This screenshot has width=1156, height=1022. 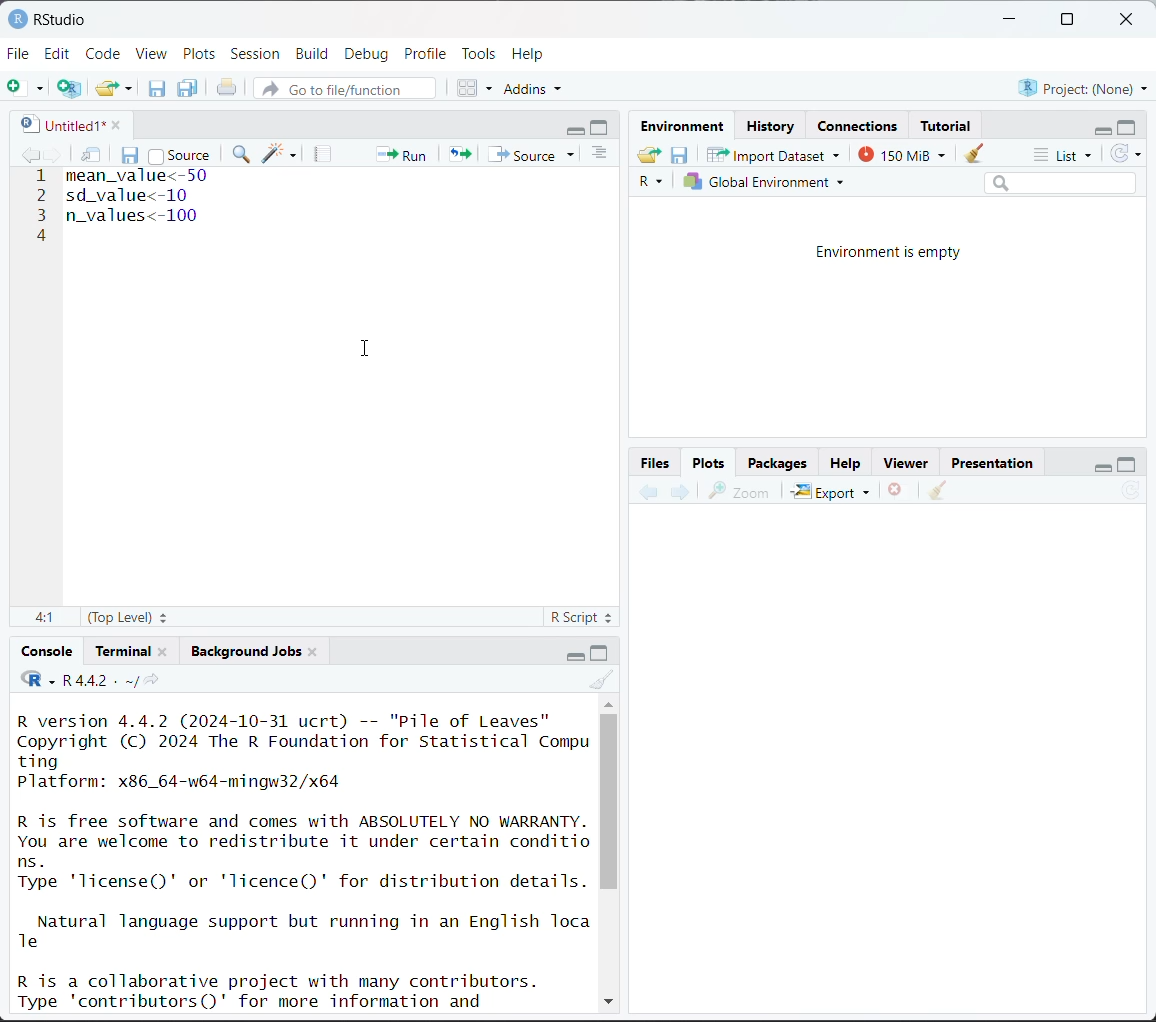 What do you see at coordinates (649, 493) in the screenshot?
I see `previous plot` at bounding box center [649, 493].